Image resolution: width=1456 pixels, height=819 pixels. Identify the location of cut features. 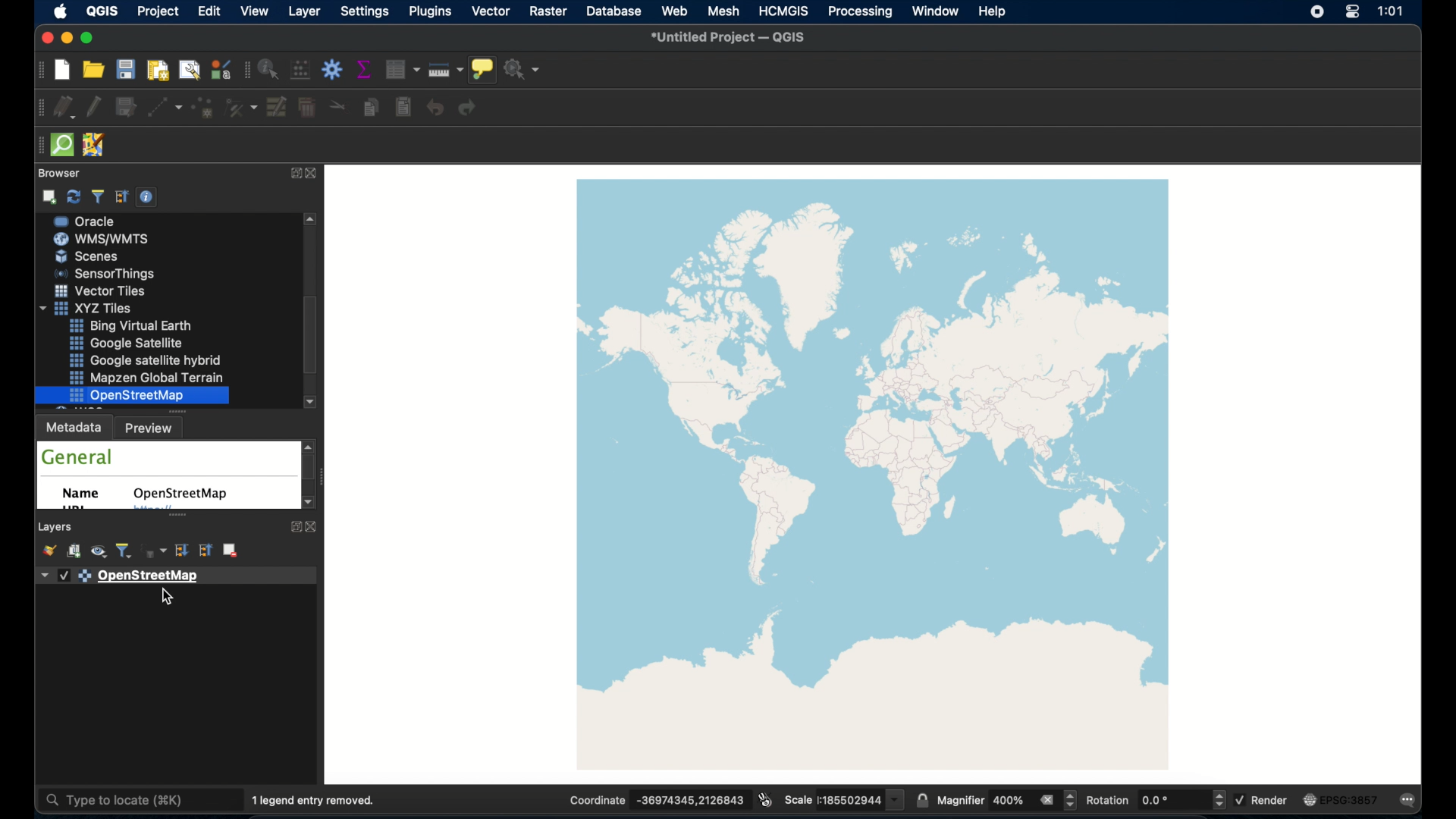
(337, 105).